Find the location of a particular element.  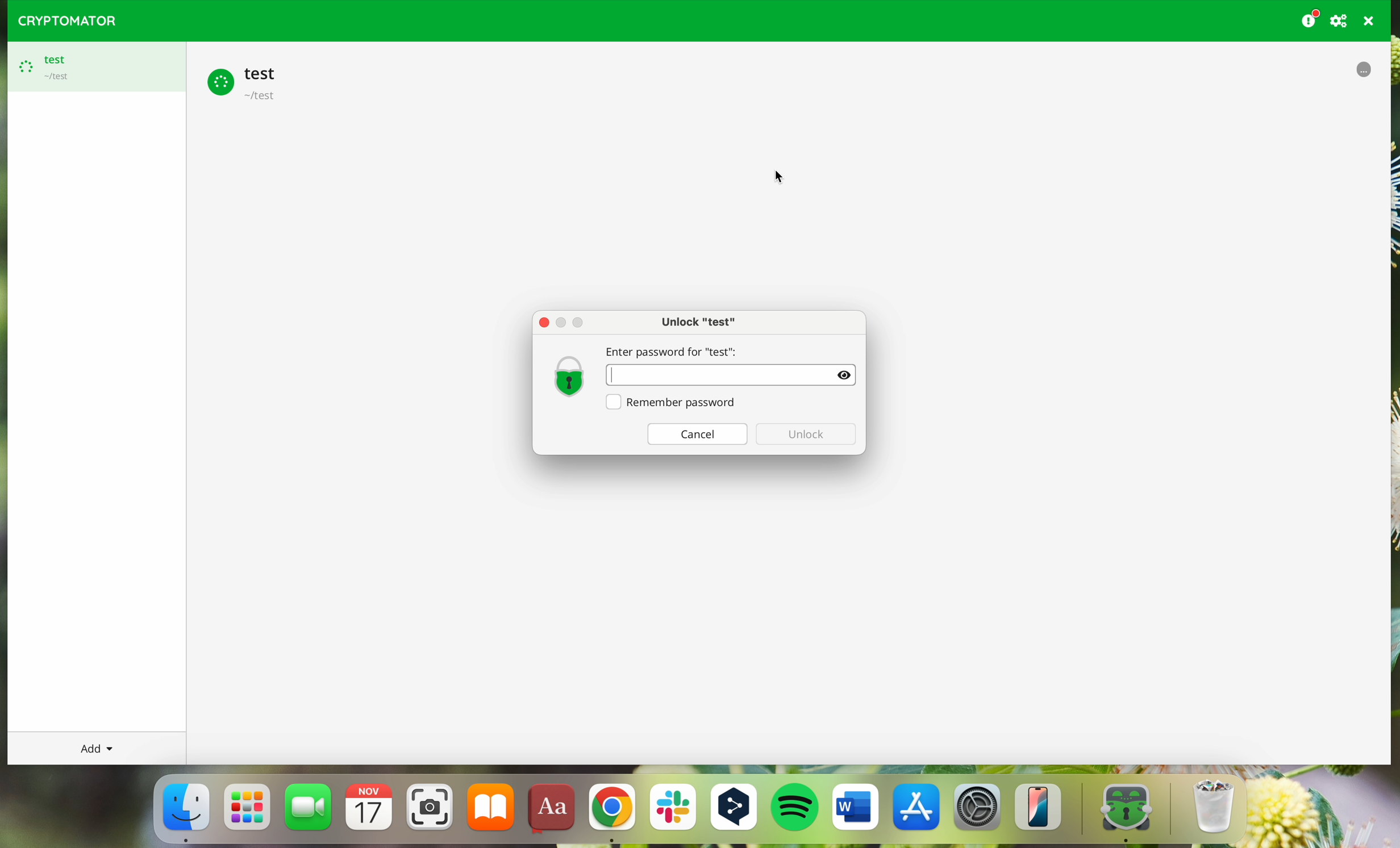

Remember password is located at coordinates (674, 404).